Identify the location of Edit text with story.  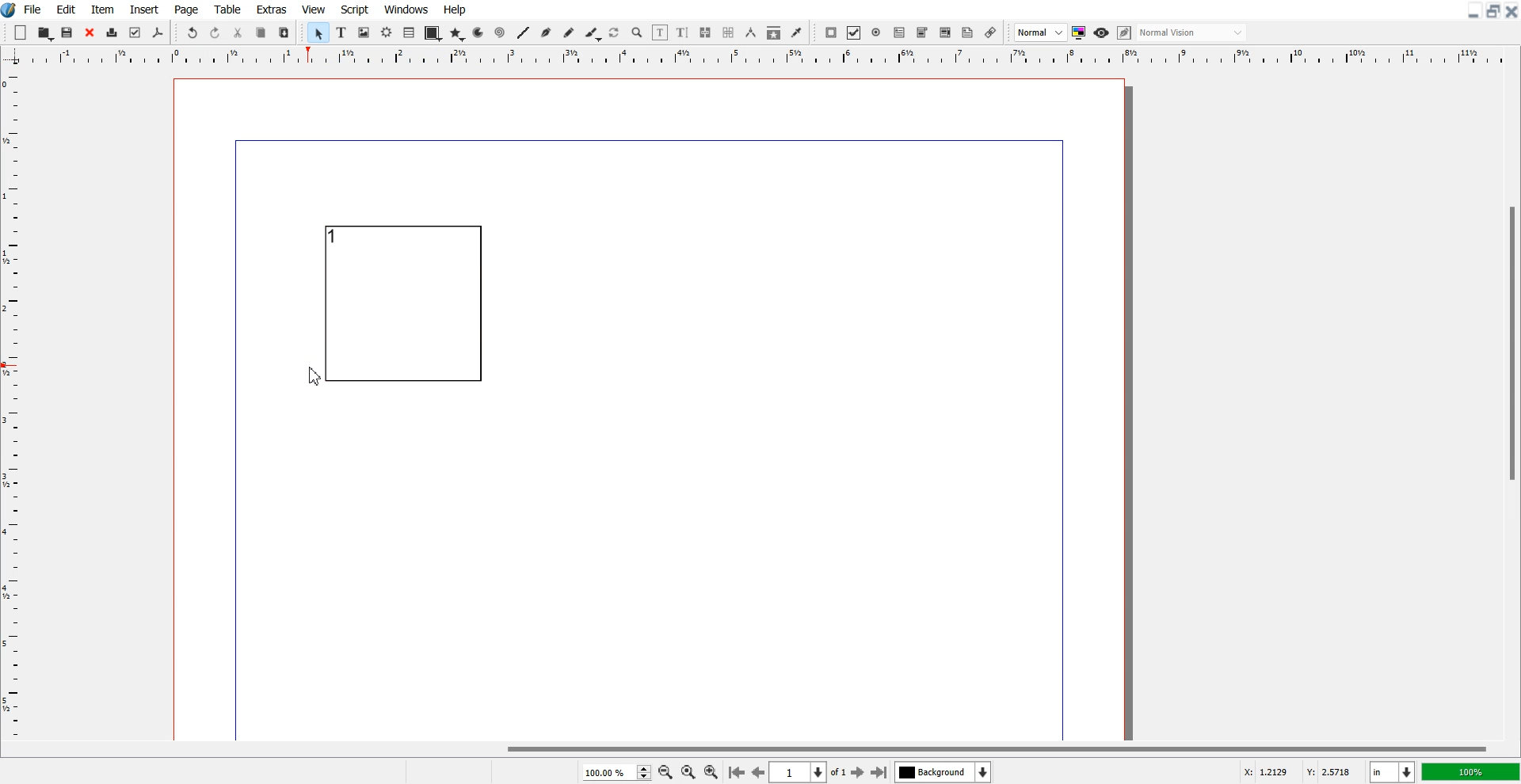
(684, 33).